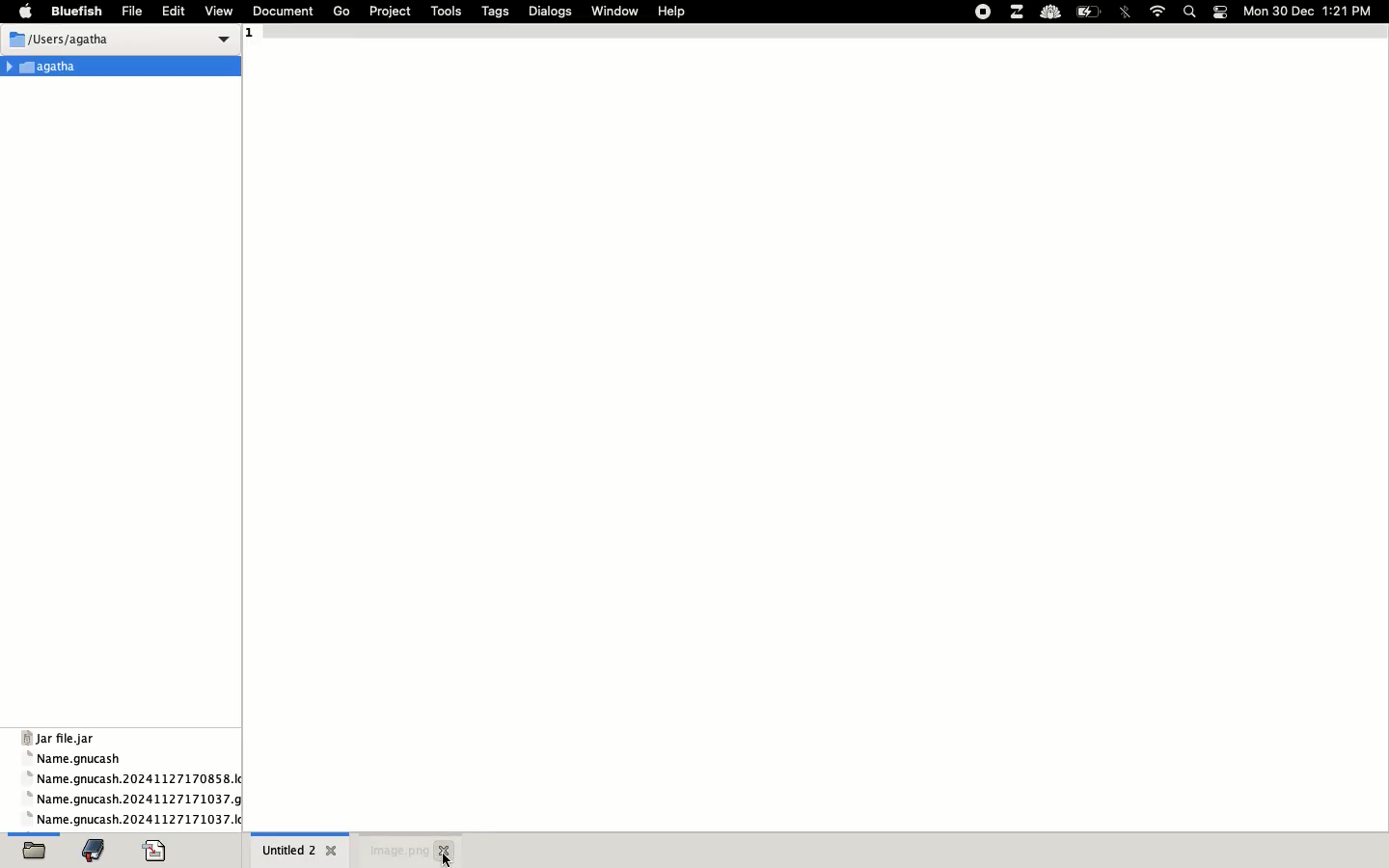 The height and width of the screenshot is (868, 1389). I want to click on window , so click(613, 11).